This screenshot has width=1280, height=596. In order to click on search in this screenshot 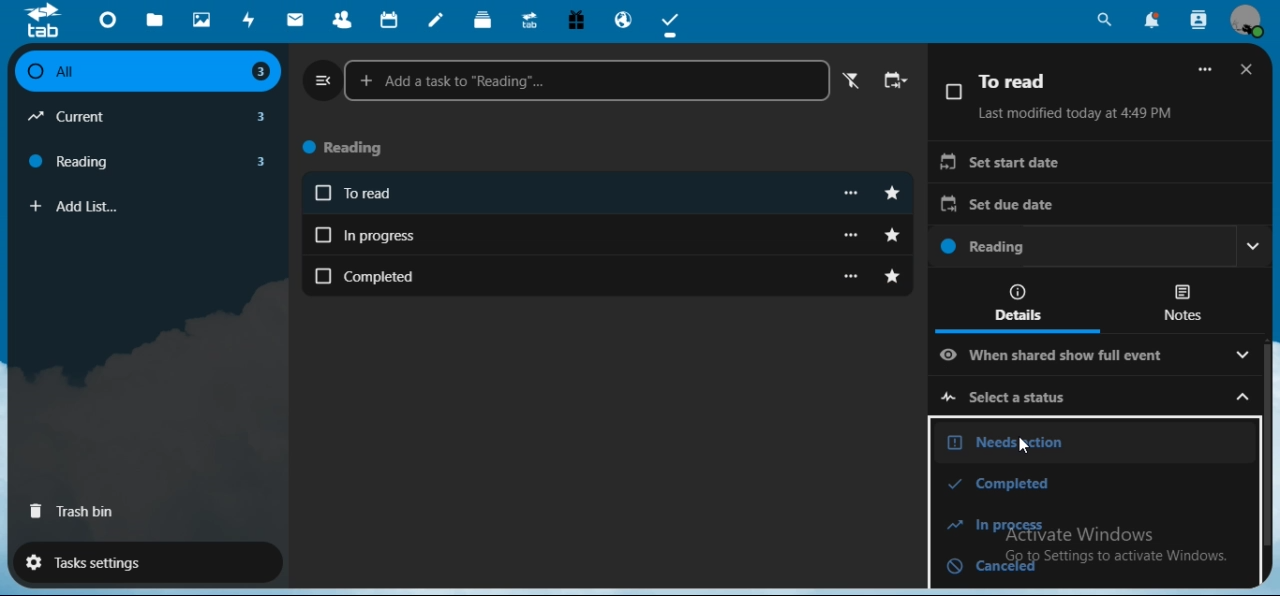, I will do `click(1106, 20)`.